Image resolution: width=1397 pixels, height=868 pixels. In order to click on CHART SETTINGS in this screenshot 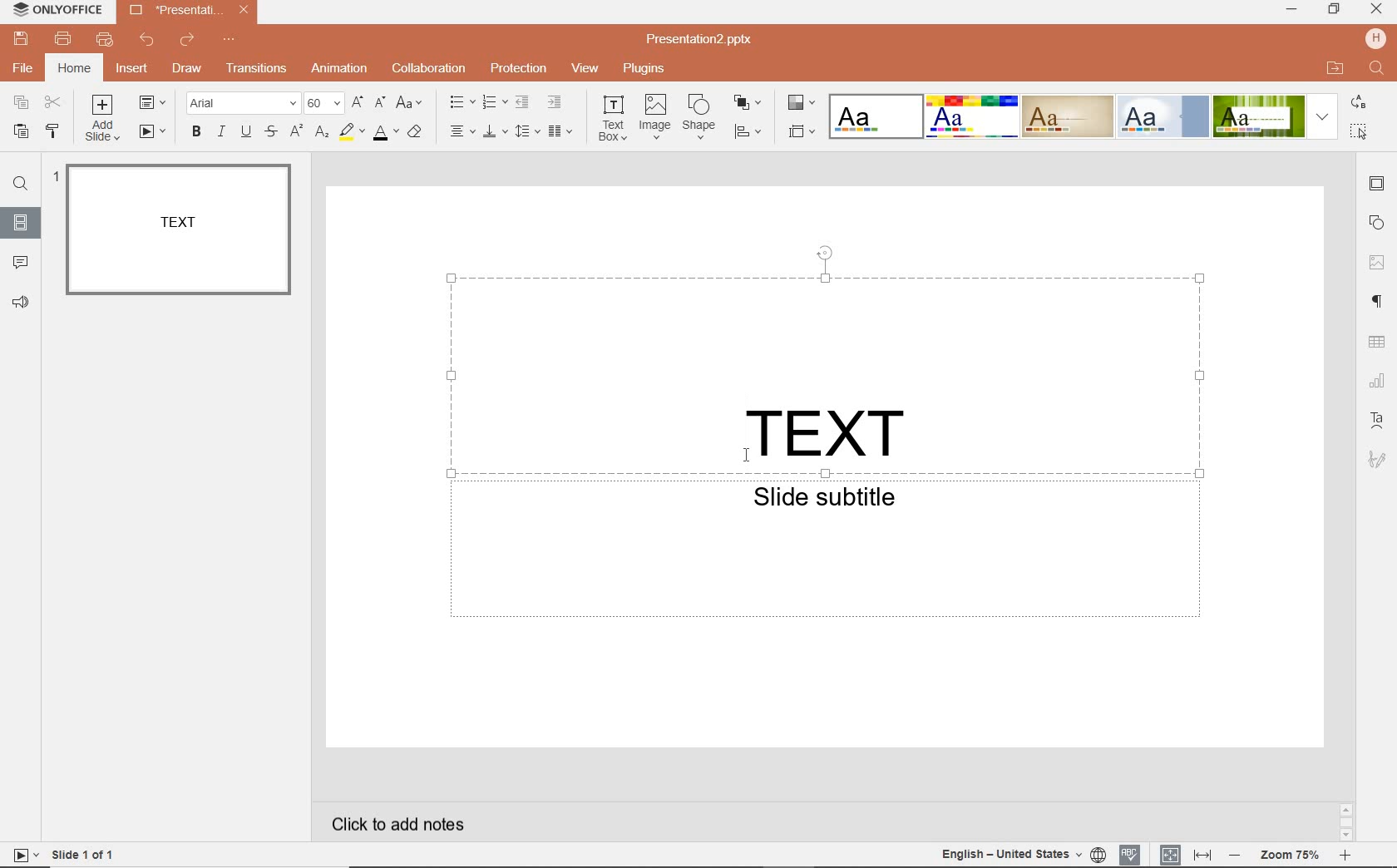, I will do `click(1378, 379)`.